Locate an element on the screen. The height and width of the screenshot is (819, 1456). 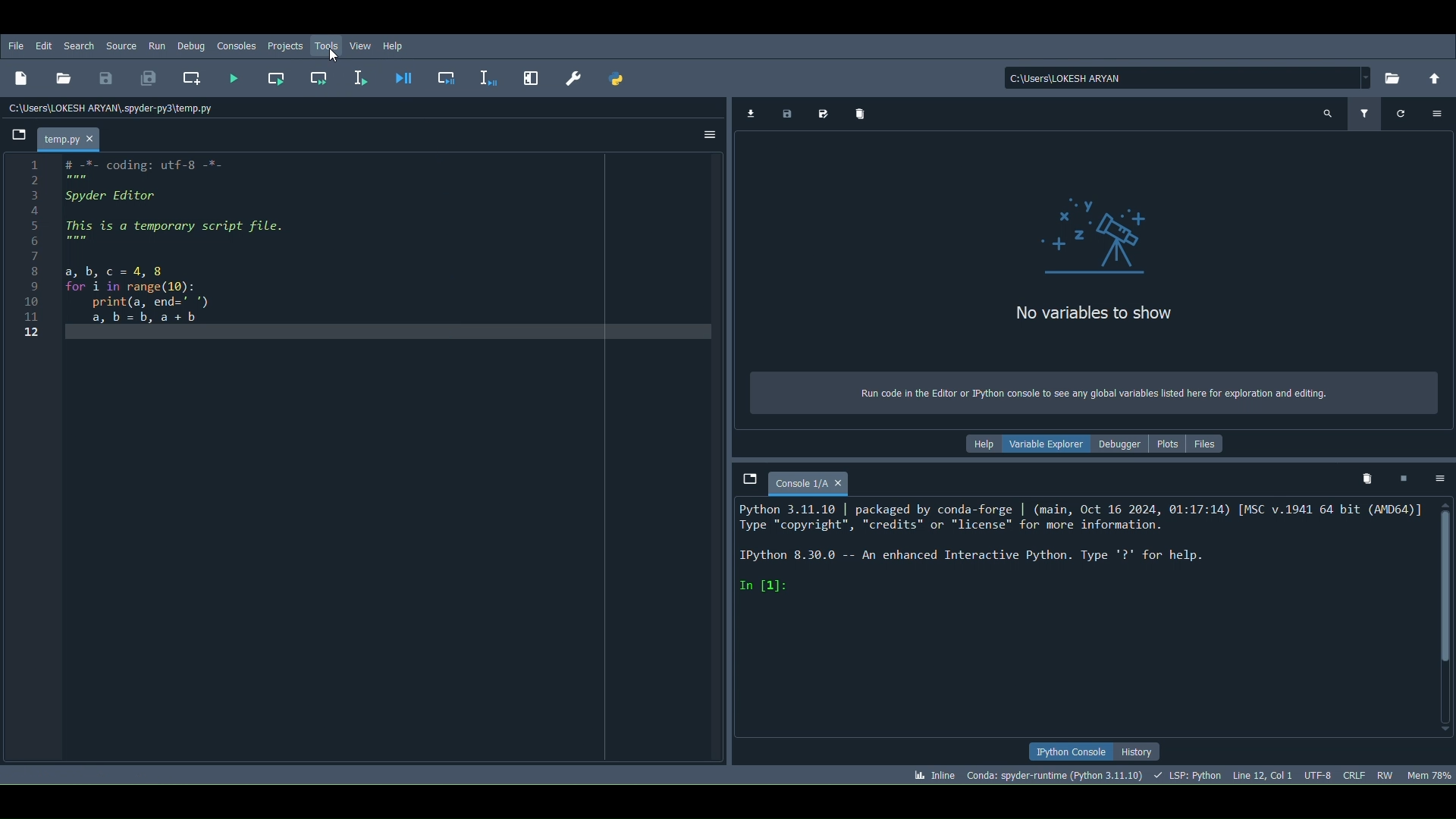
Completions, linting code folding and symbols status is located at coordinates (1188, 774).